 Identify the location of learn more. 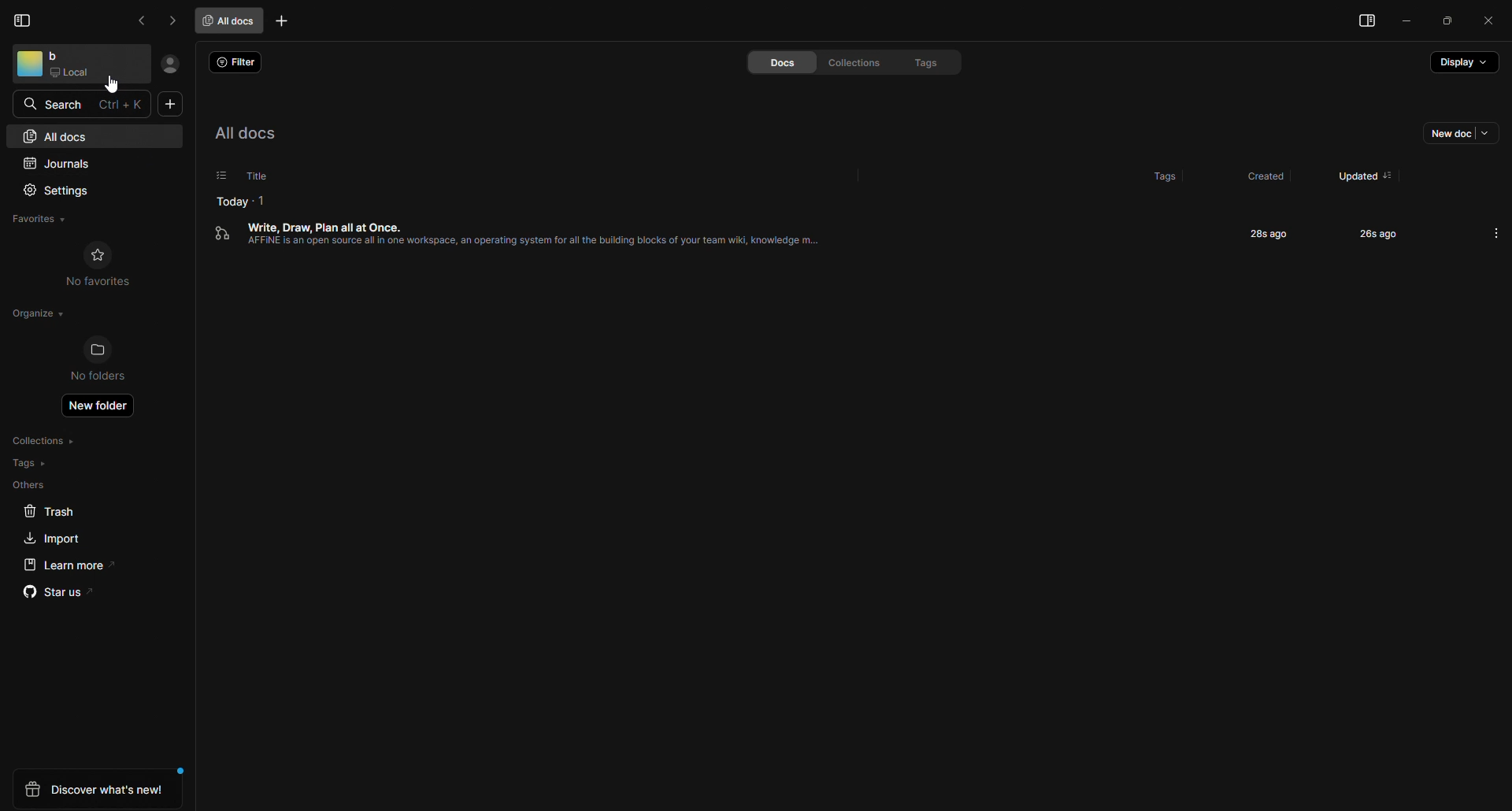
(64, 565).